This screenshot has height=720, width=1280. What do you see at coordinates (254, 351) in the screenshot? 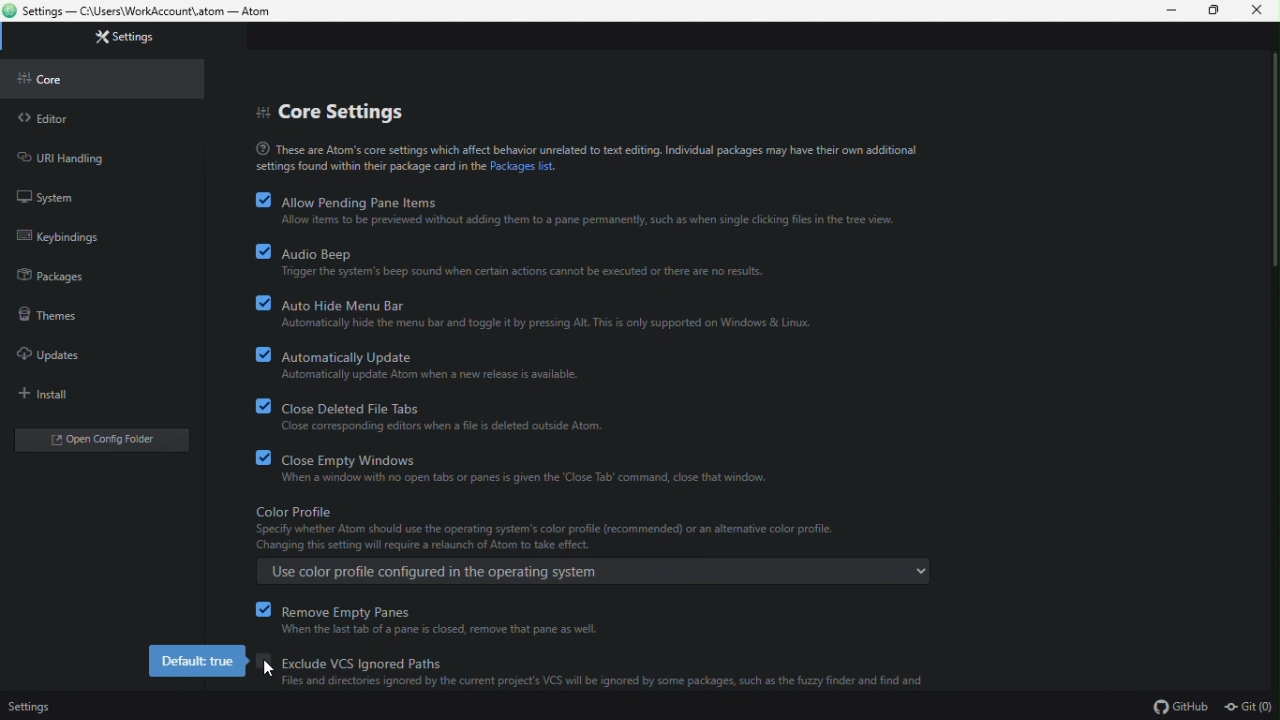
I see `checkbox` at bounding box center [254, 351].